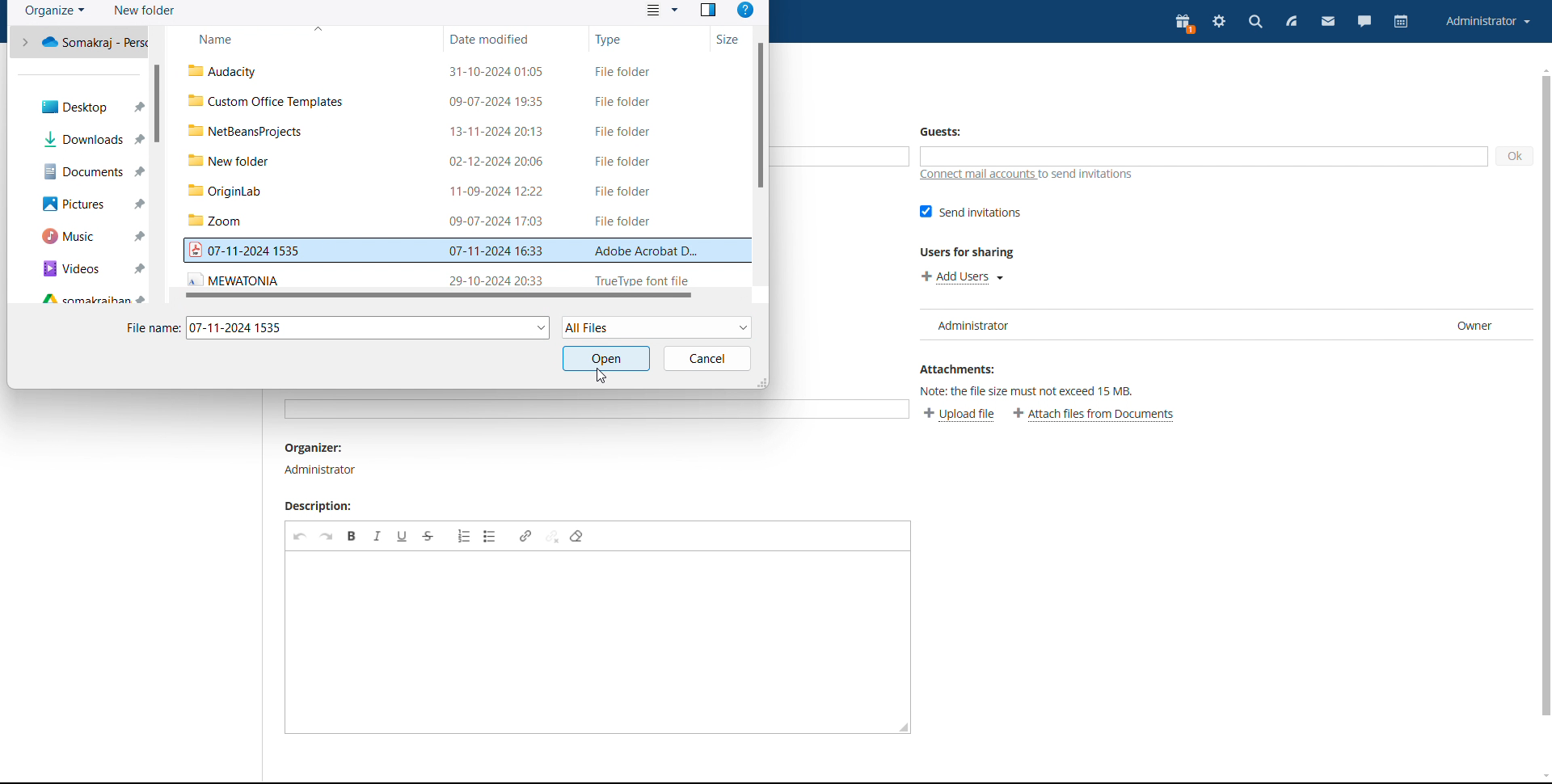  Describe the element at coordinates (1516, 157) in the screenshot. I see `ok` at that location.